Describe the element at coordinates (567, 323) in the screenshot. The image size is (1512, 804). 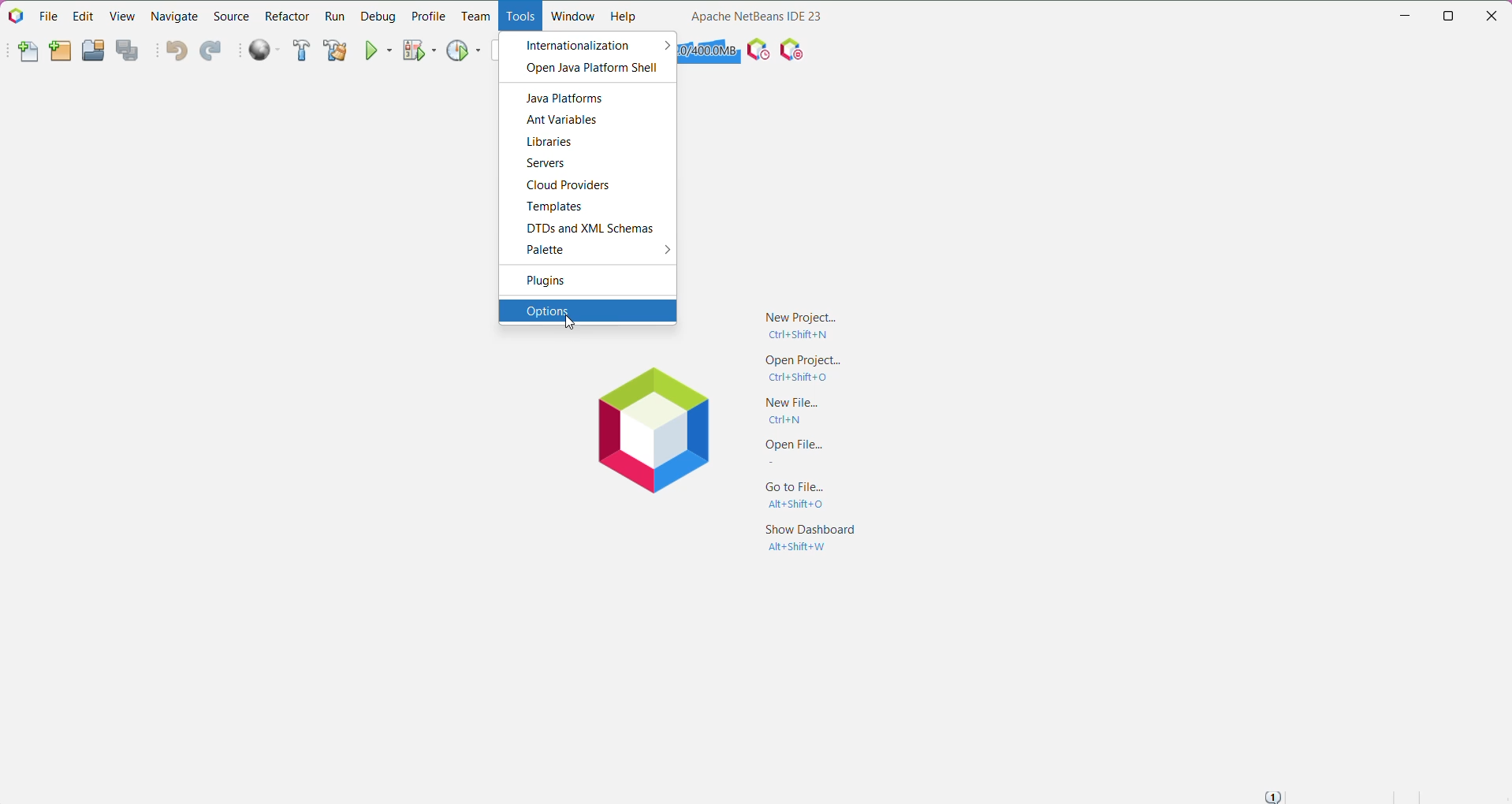
I see `cursor` at that location.